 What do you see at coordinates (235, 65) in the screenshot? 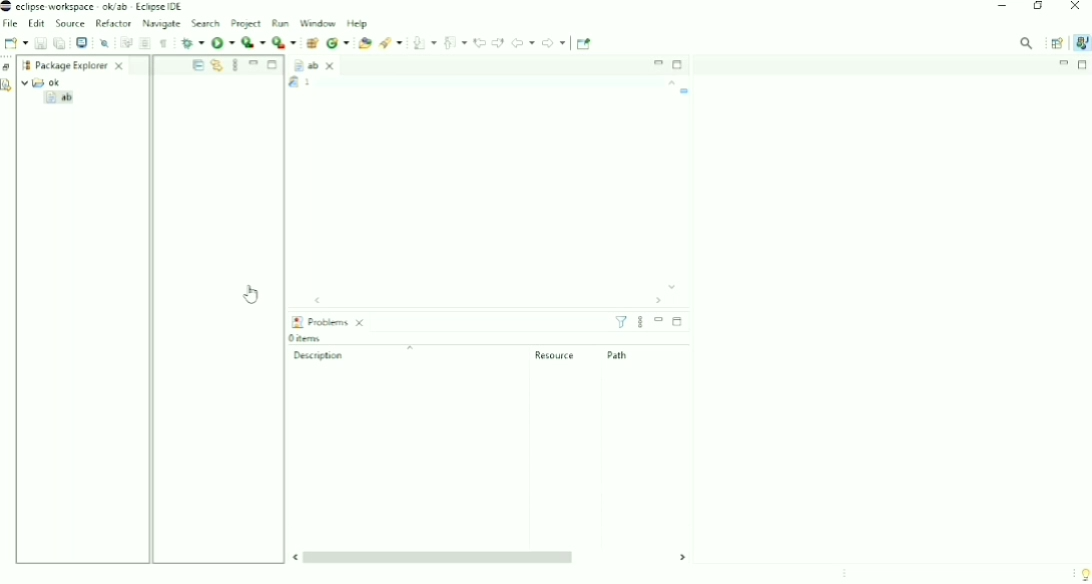
I see `View Menu` at bounding box center [235, 65].